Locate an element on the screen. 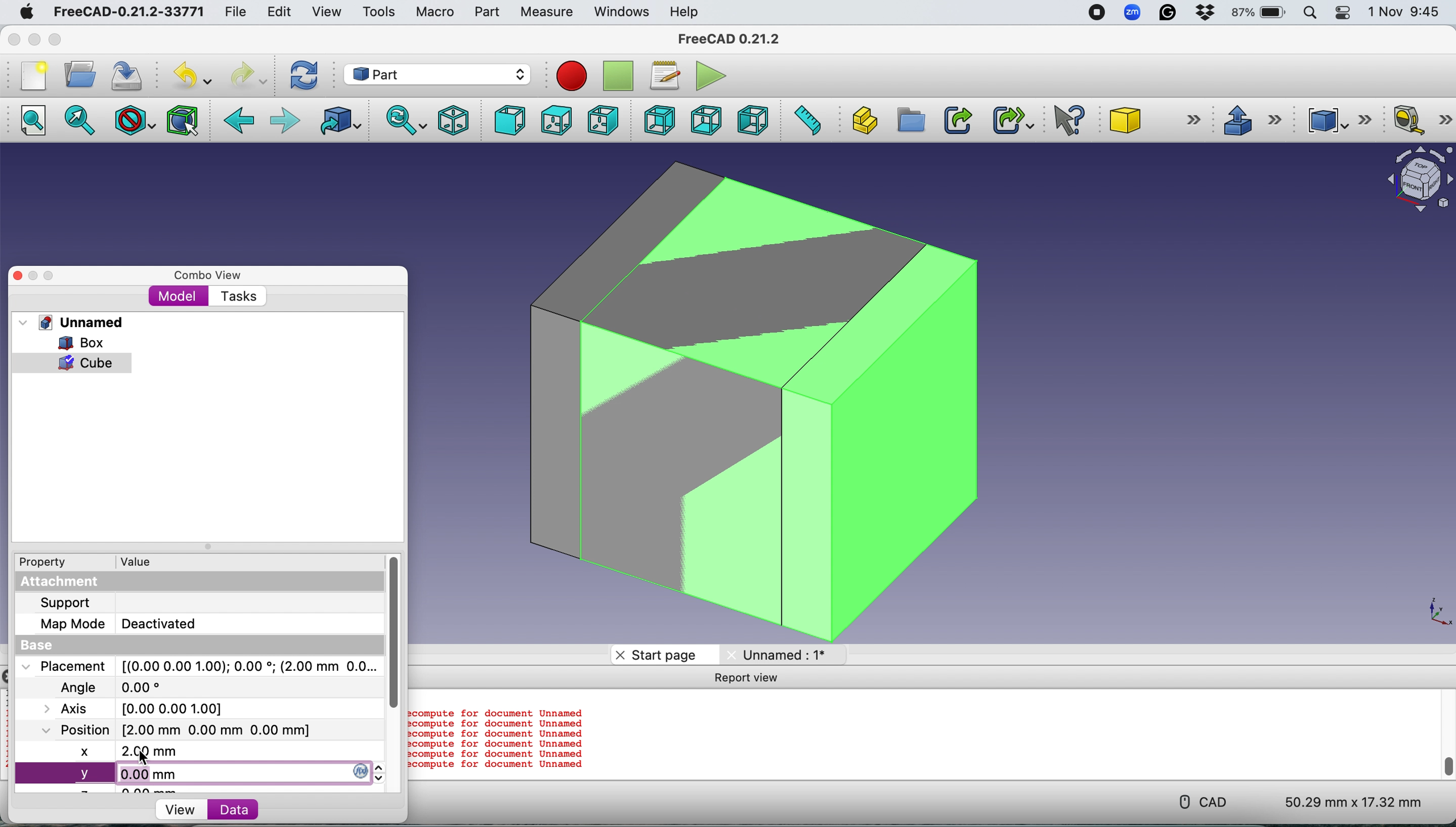  Placement is located at coordinates (202, 666).